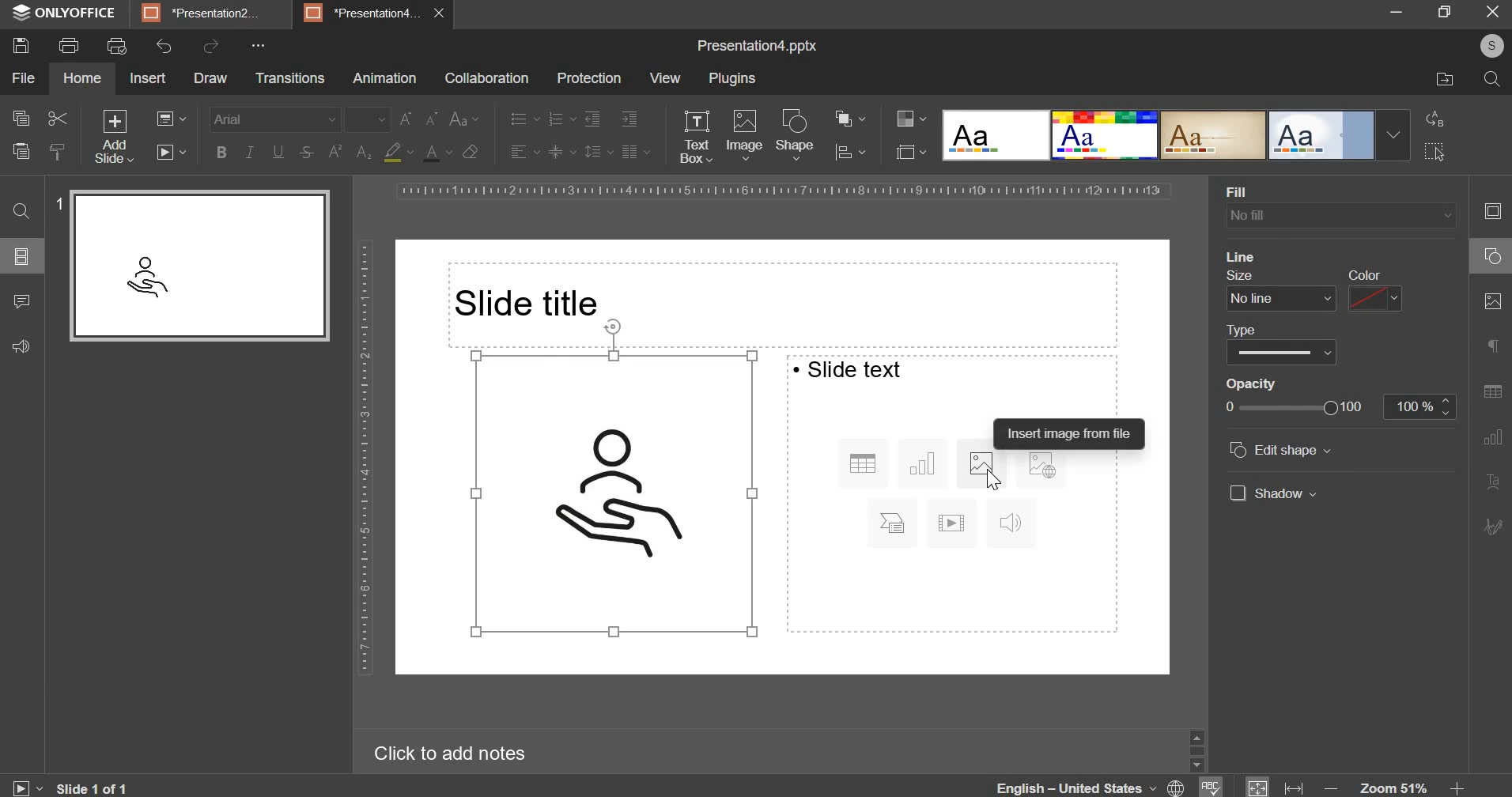 This screenshot has width=1512, height=797. What do you see at coordinates (268, 47) in the screenshot?
I see `more options` at bounding box center [268, 47].